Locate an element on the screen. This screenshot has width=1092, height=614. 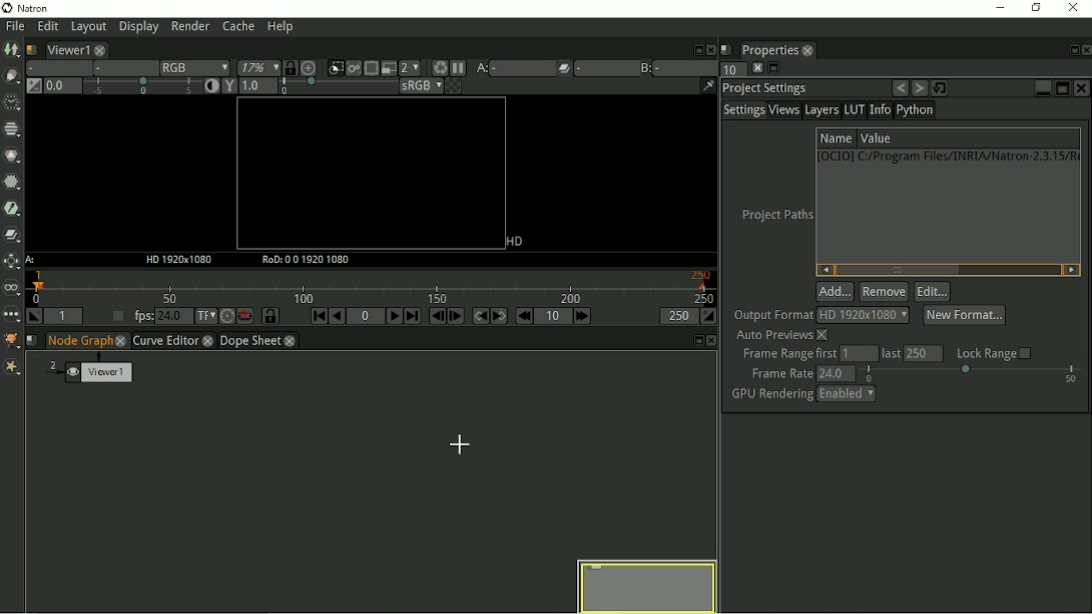
Set playback frame is located at coordinates (115, 317).